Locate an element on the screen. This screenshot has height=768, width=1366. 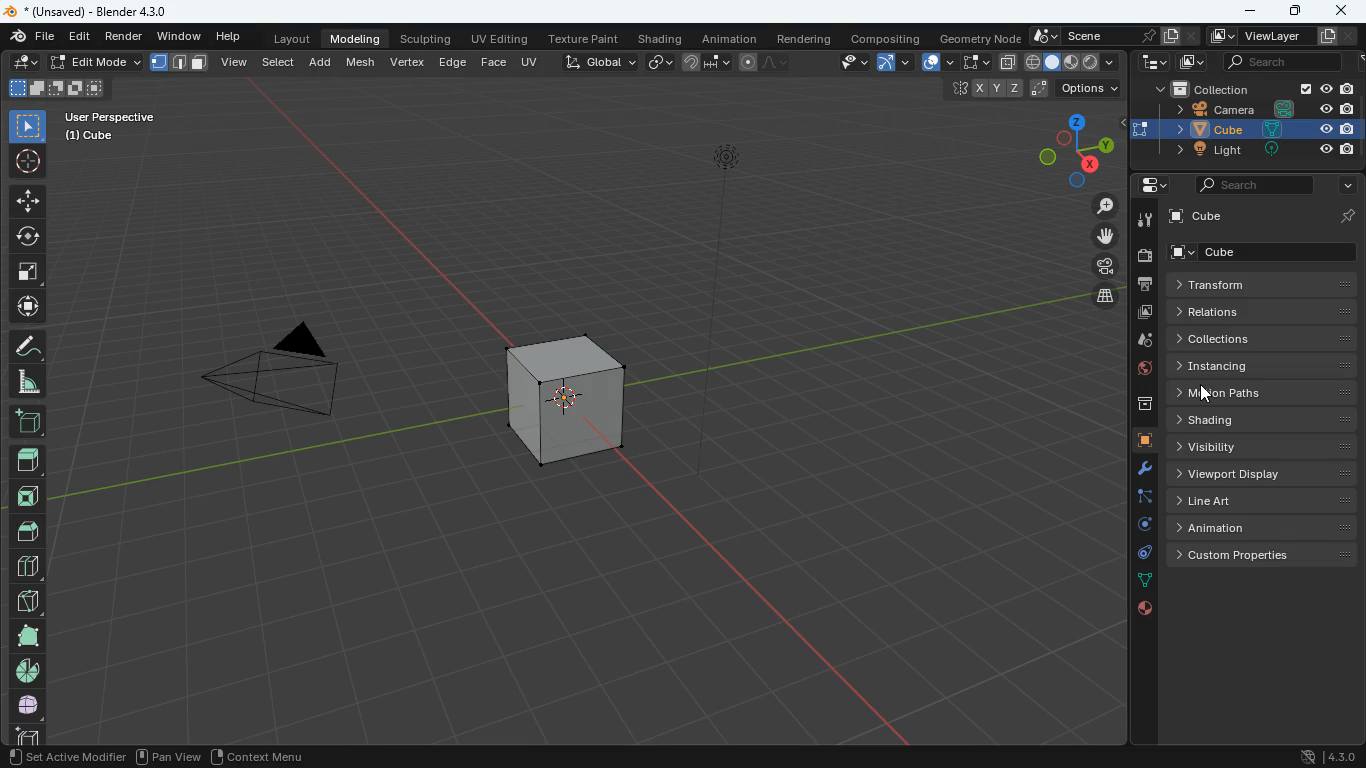
full is located at coordinates (28, 704).